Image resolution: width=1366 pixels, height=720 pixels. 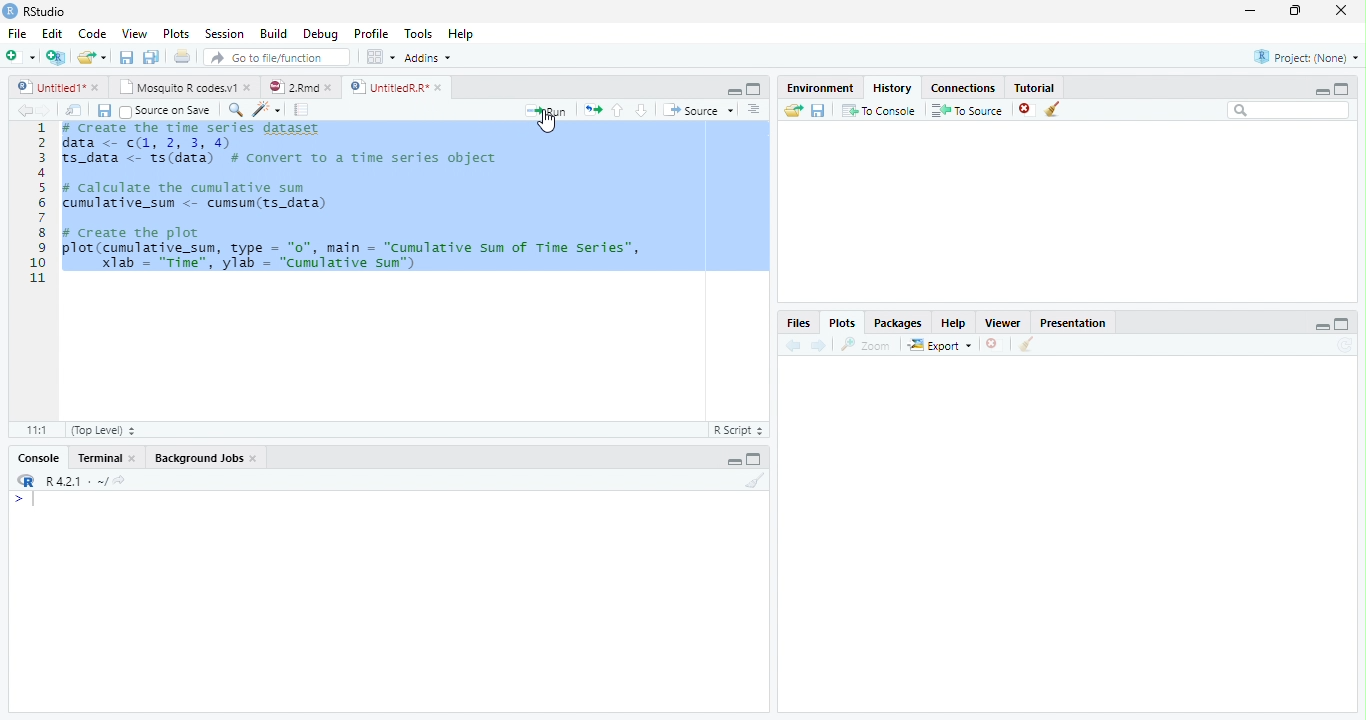 What do you see at coordinates (462, 36) in the screenshot?
I see `Help` at bounding box center [462, 36].